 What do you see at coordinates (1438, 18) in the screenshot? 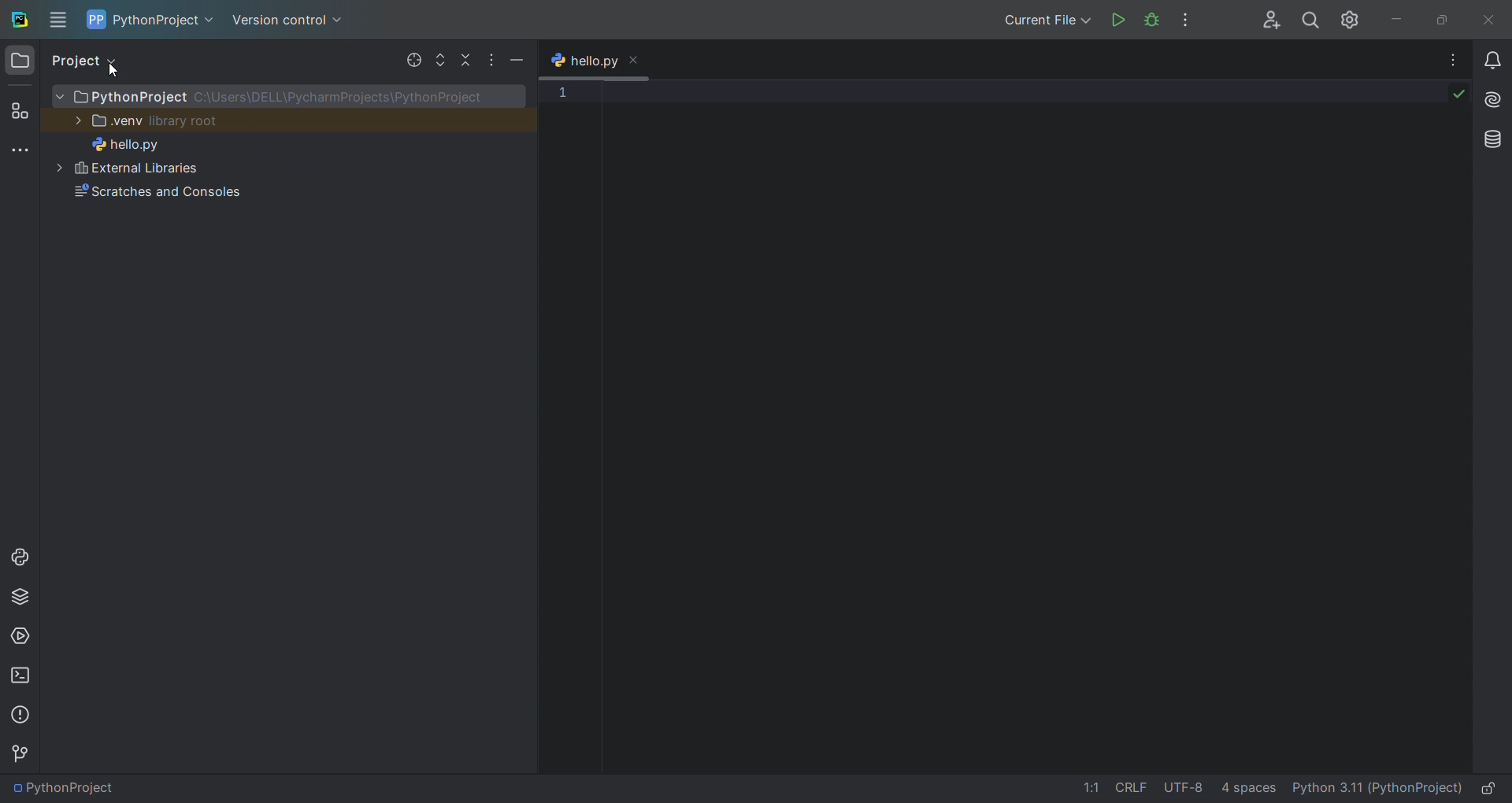
I see `maximize/restore` at bounding box center [1438, 18].